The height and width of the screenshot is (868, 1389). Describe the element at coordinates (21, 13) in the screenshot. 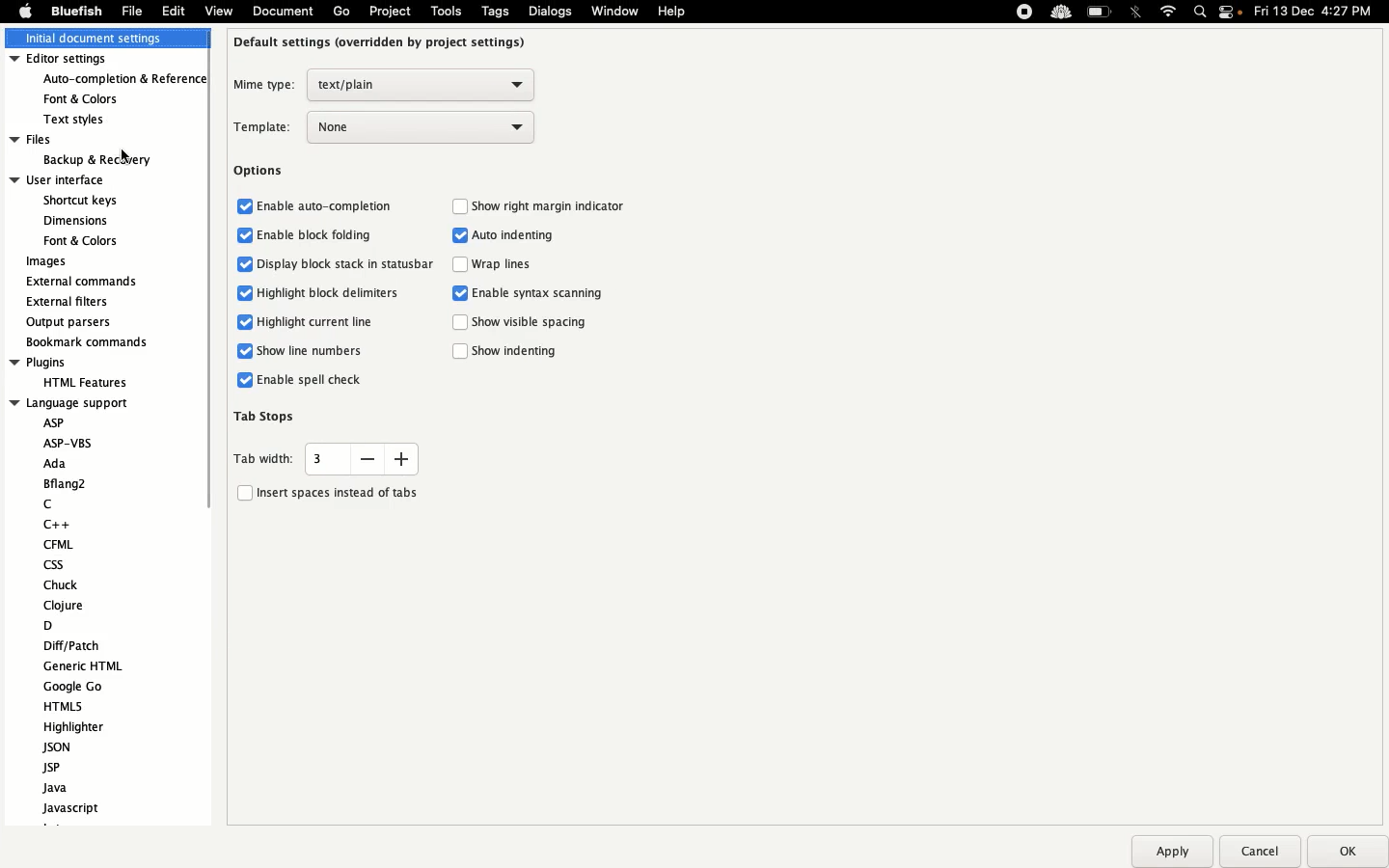

I see `Apple logo` at that location.